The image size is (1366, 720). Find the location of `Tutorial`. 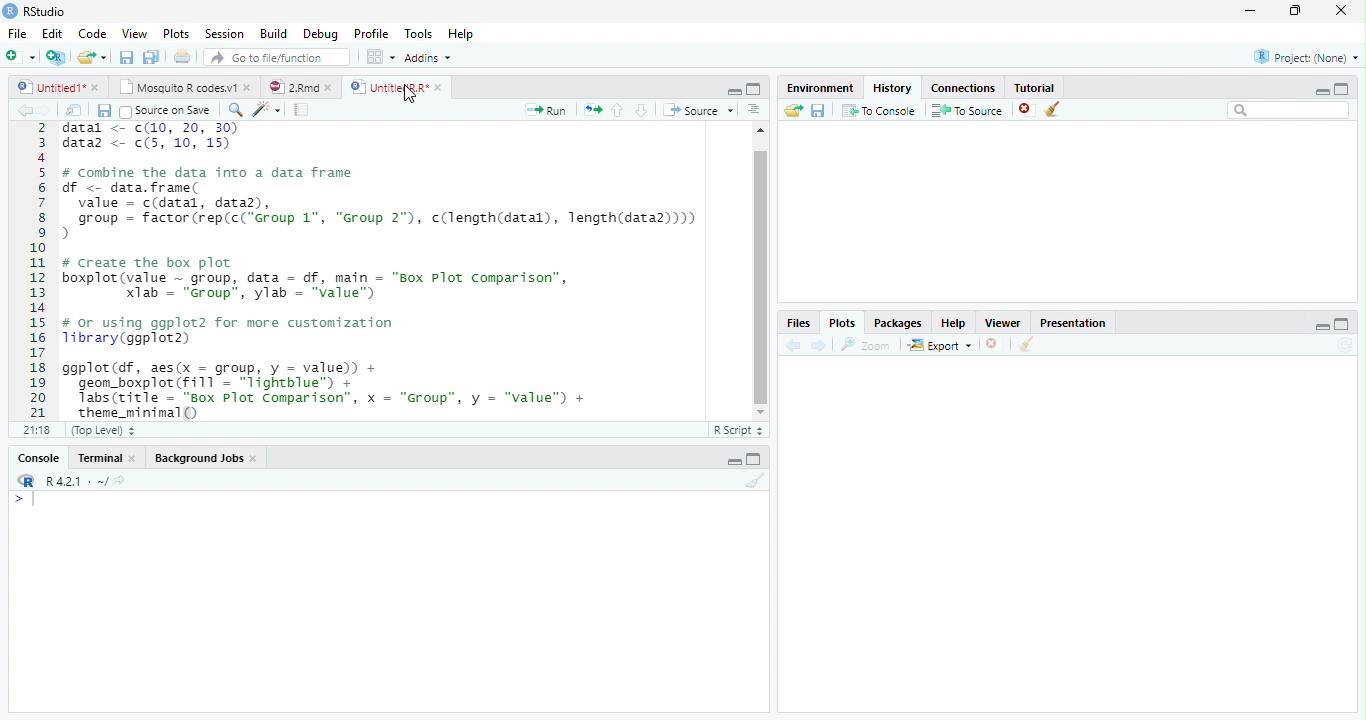

Tutorial is located at coordinates (1035, 88).